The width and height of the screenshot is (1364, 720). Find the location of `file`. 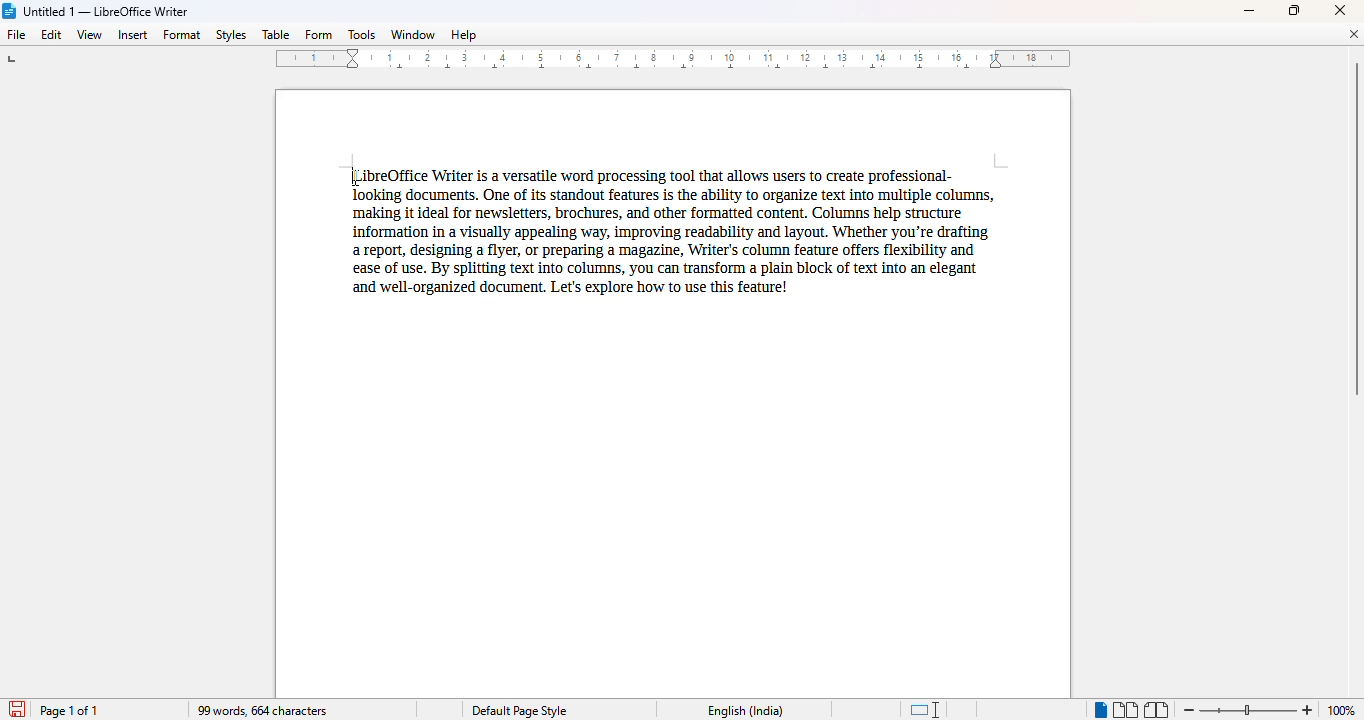

file is located at coordinates (15, 34).